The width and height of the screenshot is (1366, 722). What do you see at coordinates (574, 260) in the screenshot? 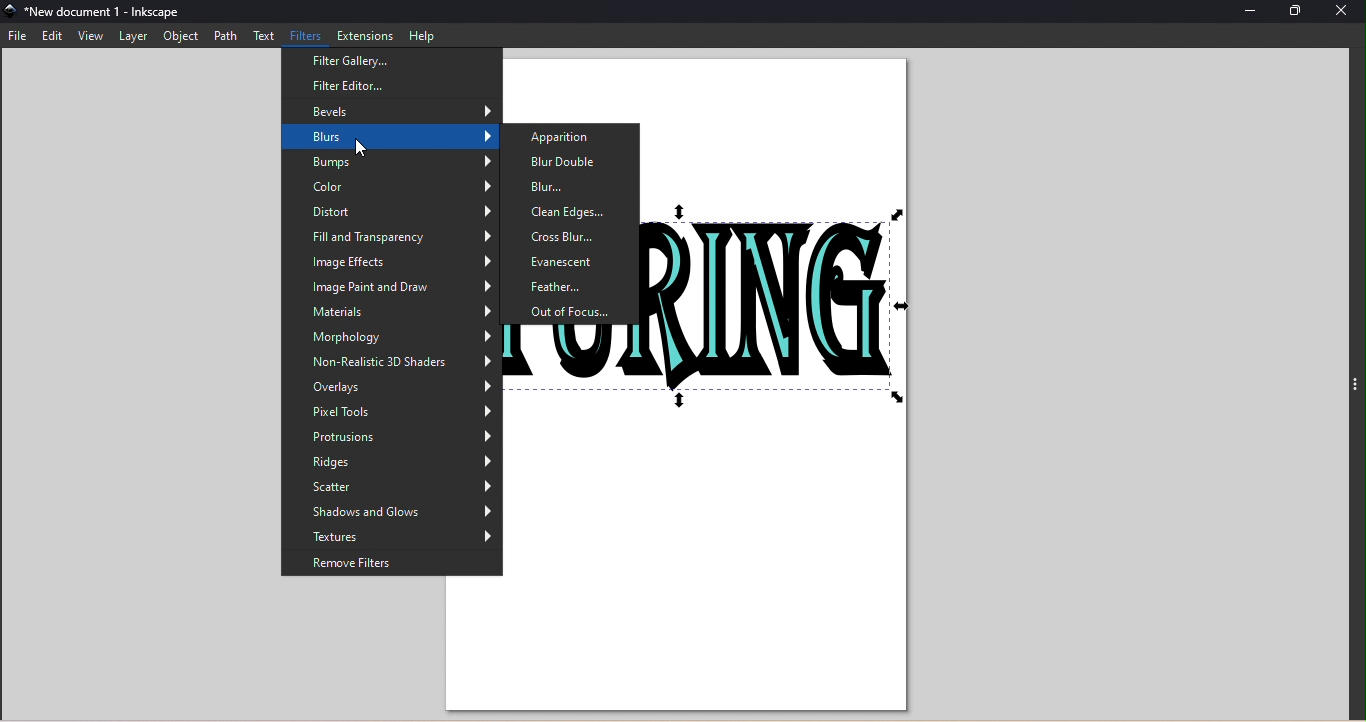
I see `Evanescent` at bounding box center [574, 260].